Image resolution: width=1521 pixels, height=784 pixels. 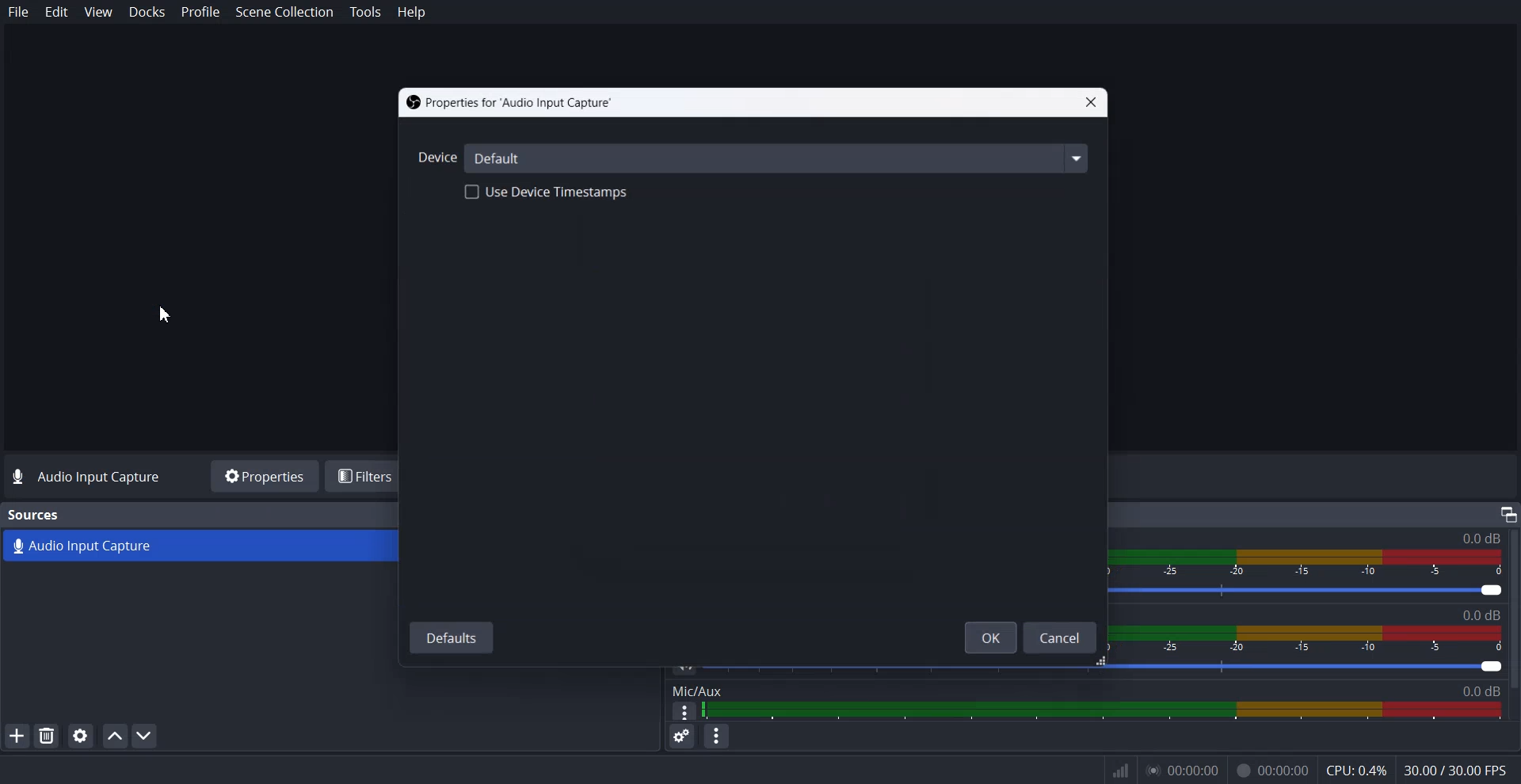 What do you see at coordinates (1485, 615) in the screenshot?
I see `Text` at bounding box center [1485, 615].